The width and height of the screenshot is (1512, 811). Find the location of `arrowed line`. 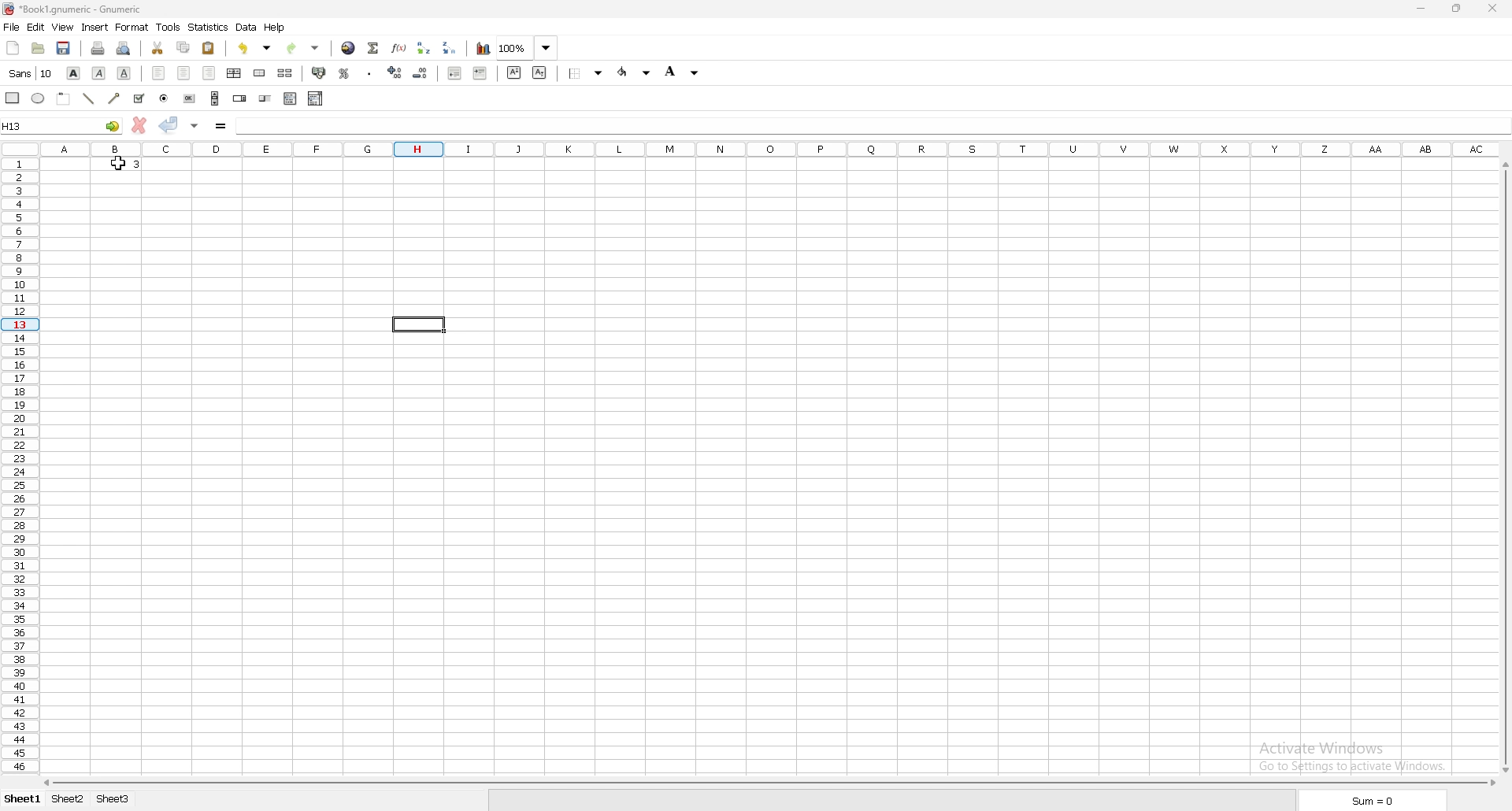

arrowed line is located at coordinates (113, 98).